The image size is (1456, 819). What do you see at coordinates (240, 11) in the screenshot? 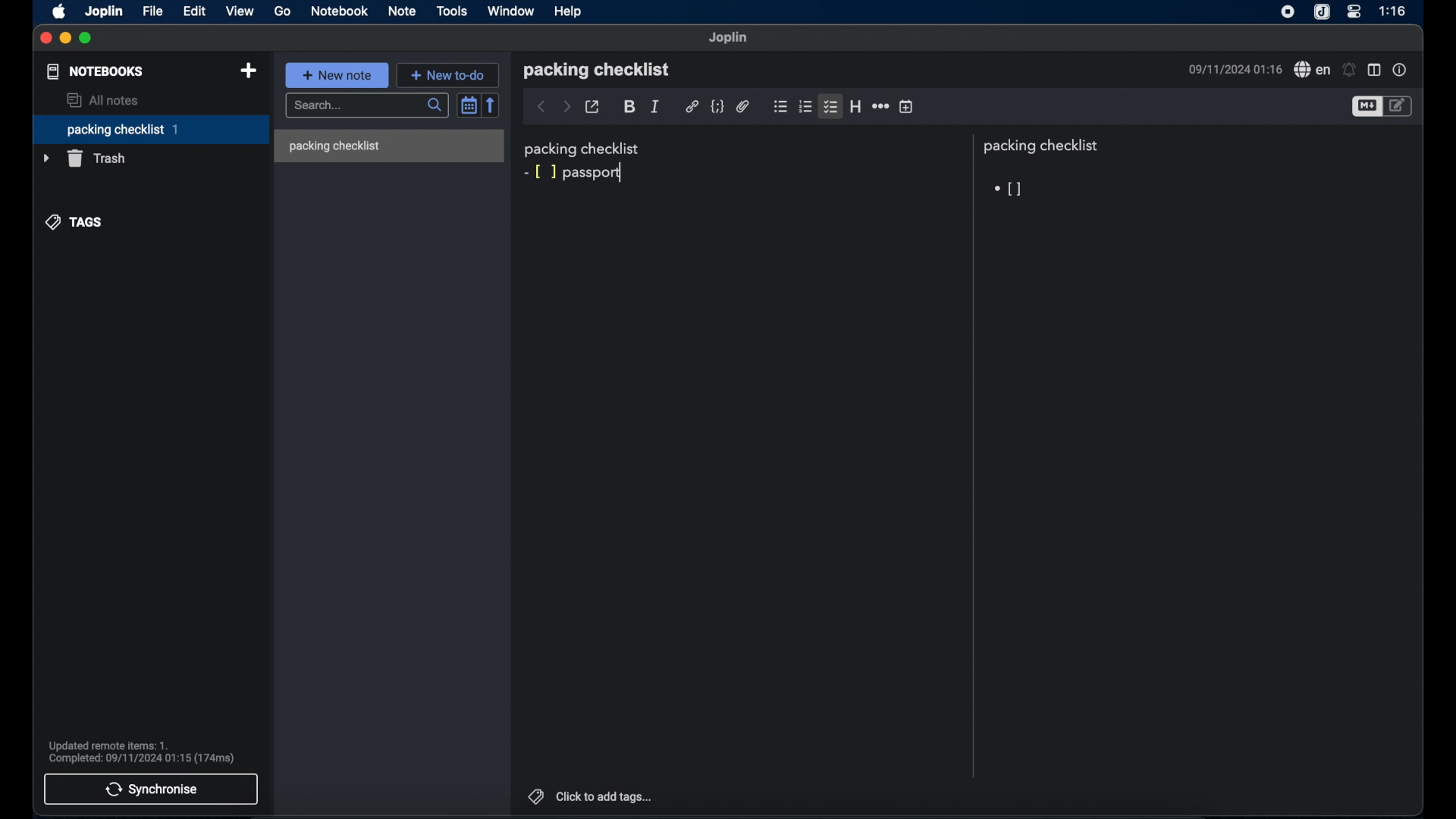
I see `view` at bounding box center [240, 11].